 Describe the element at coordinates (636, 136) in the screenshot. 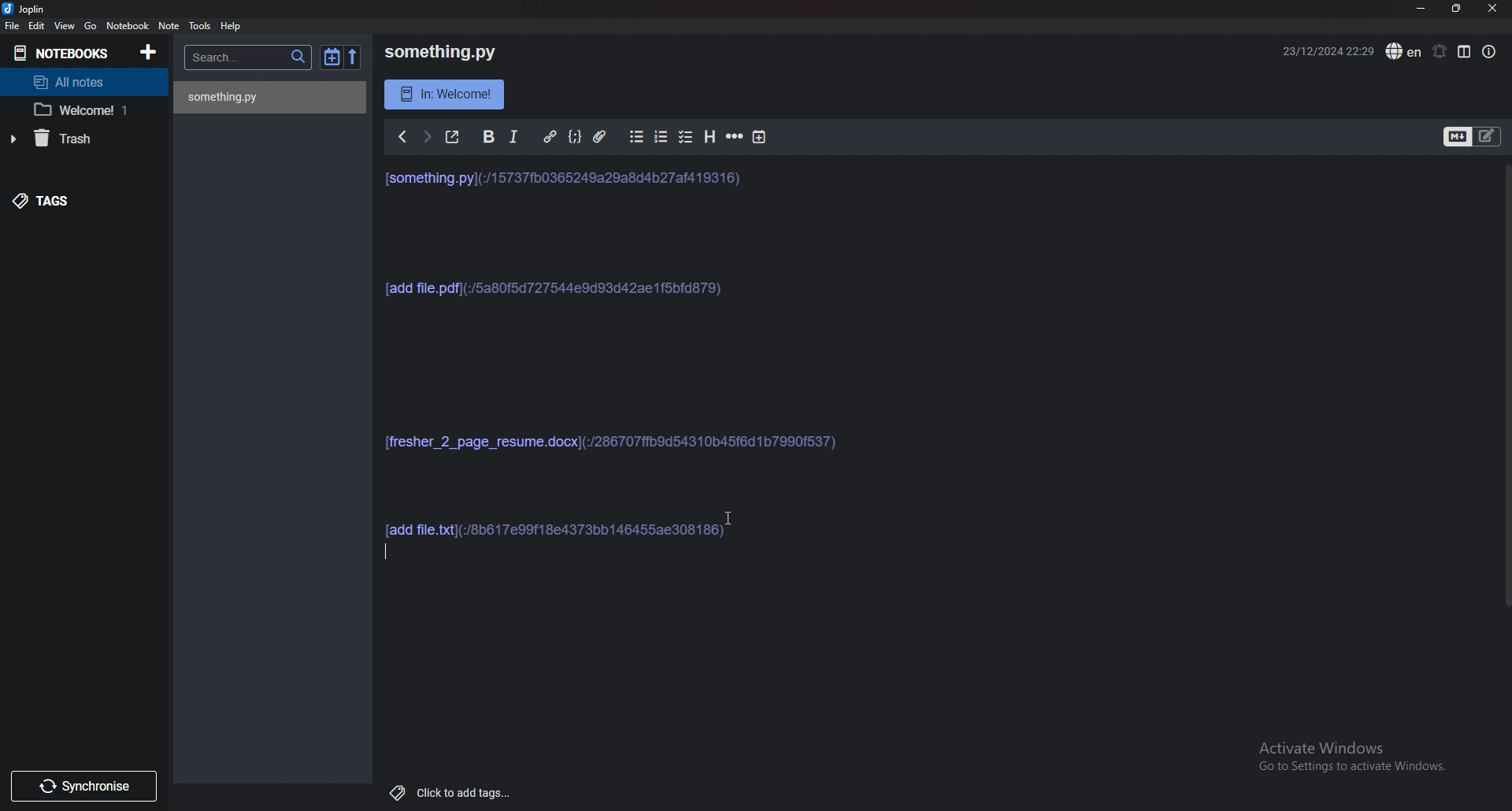

I see `bullet list` at that location.